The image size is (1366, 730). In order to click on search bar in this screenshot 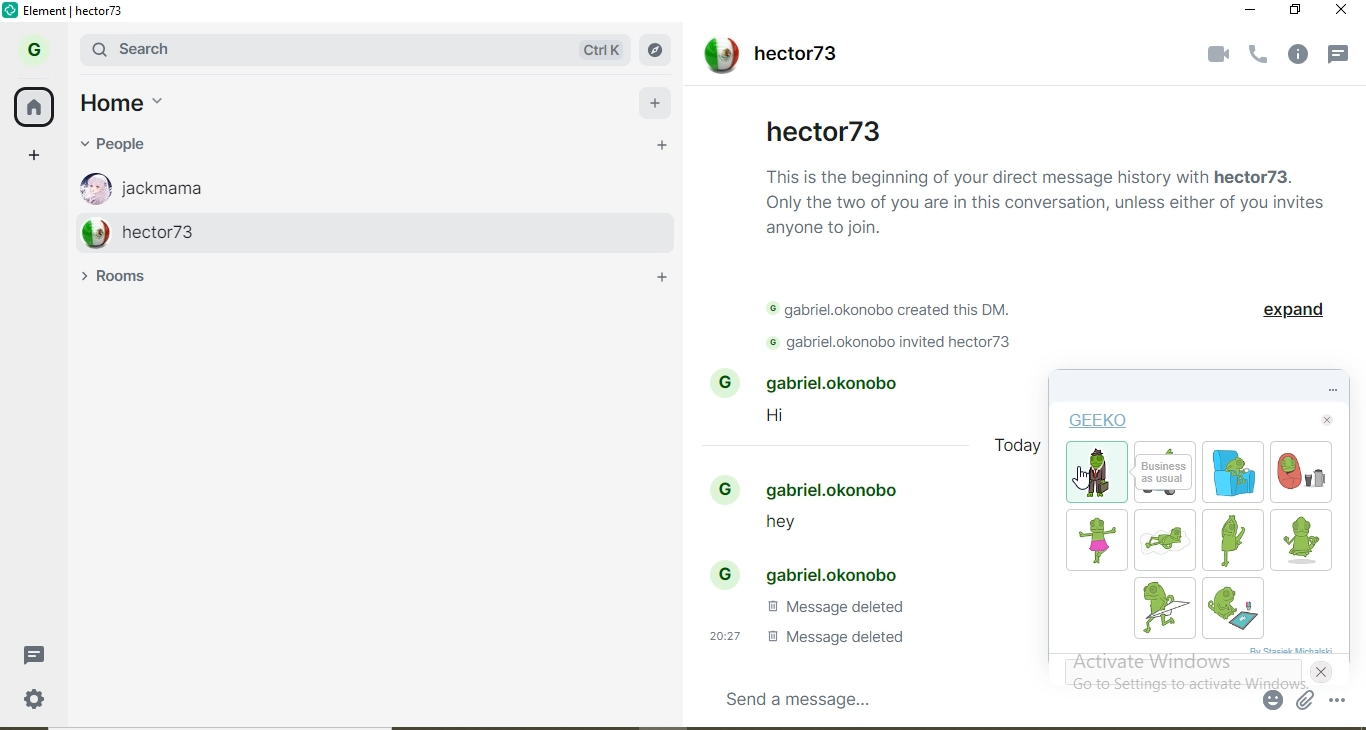, I will do `click(307, 49)`.